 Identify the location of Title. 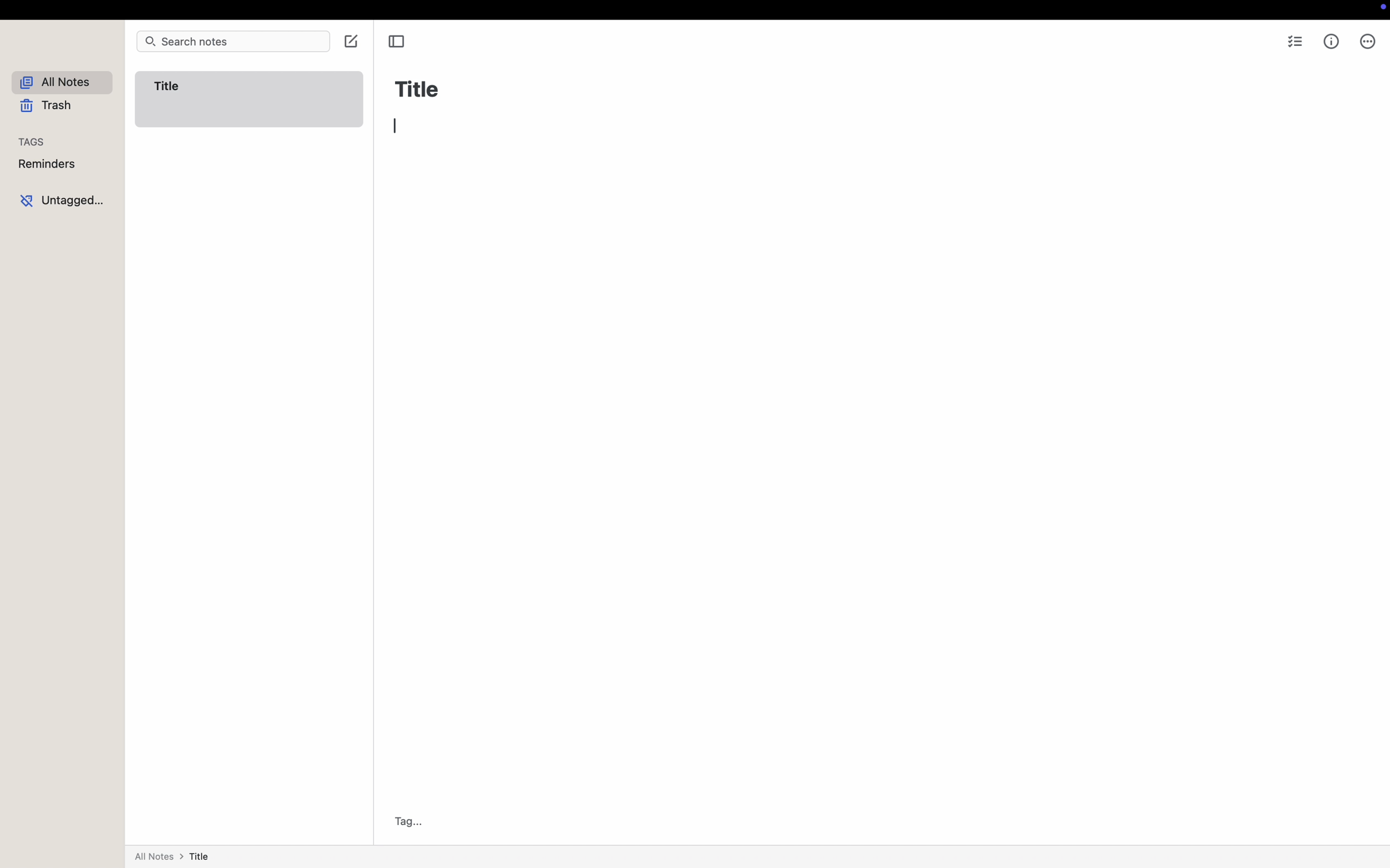
(419, 86).